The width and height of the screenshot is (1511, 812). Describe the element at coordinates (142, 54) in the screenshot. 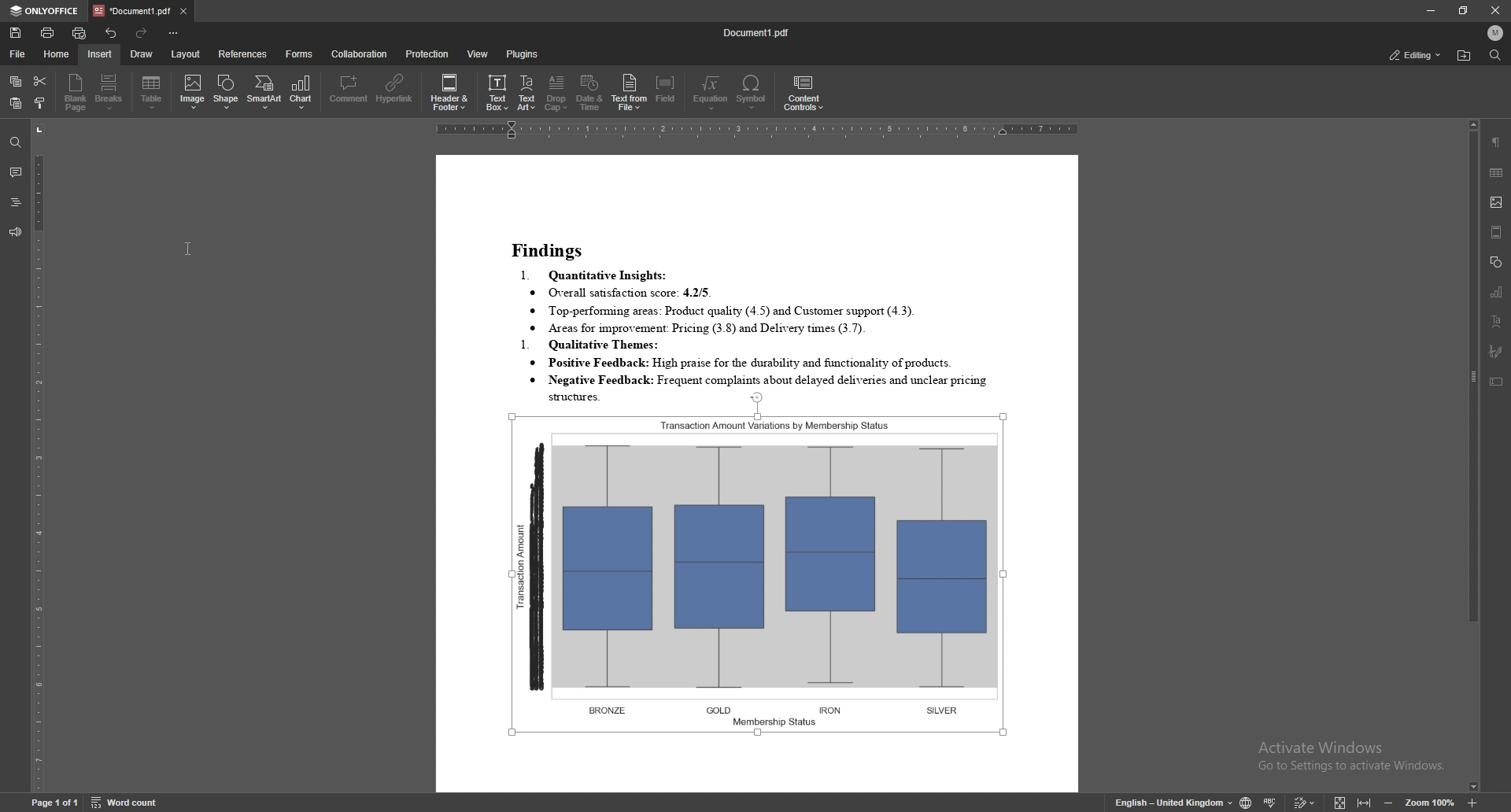

I see `draw` at that location.